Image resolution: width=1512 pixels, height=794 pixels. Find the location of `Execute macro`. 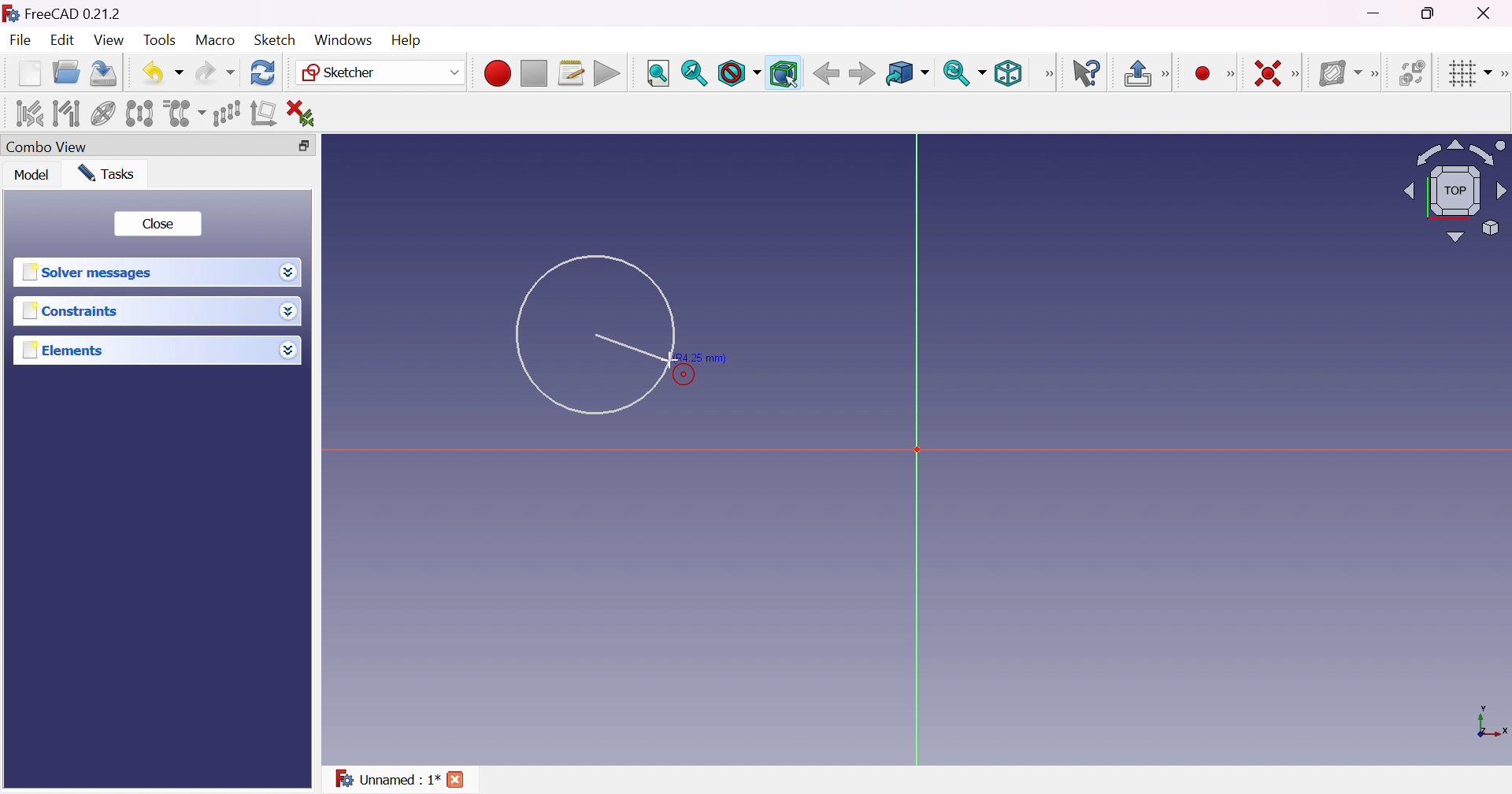

Execute macro is located at coordinates (608, 74).